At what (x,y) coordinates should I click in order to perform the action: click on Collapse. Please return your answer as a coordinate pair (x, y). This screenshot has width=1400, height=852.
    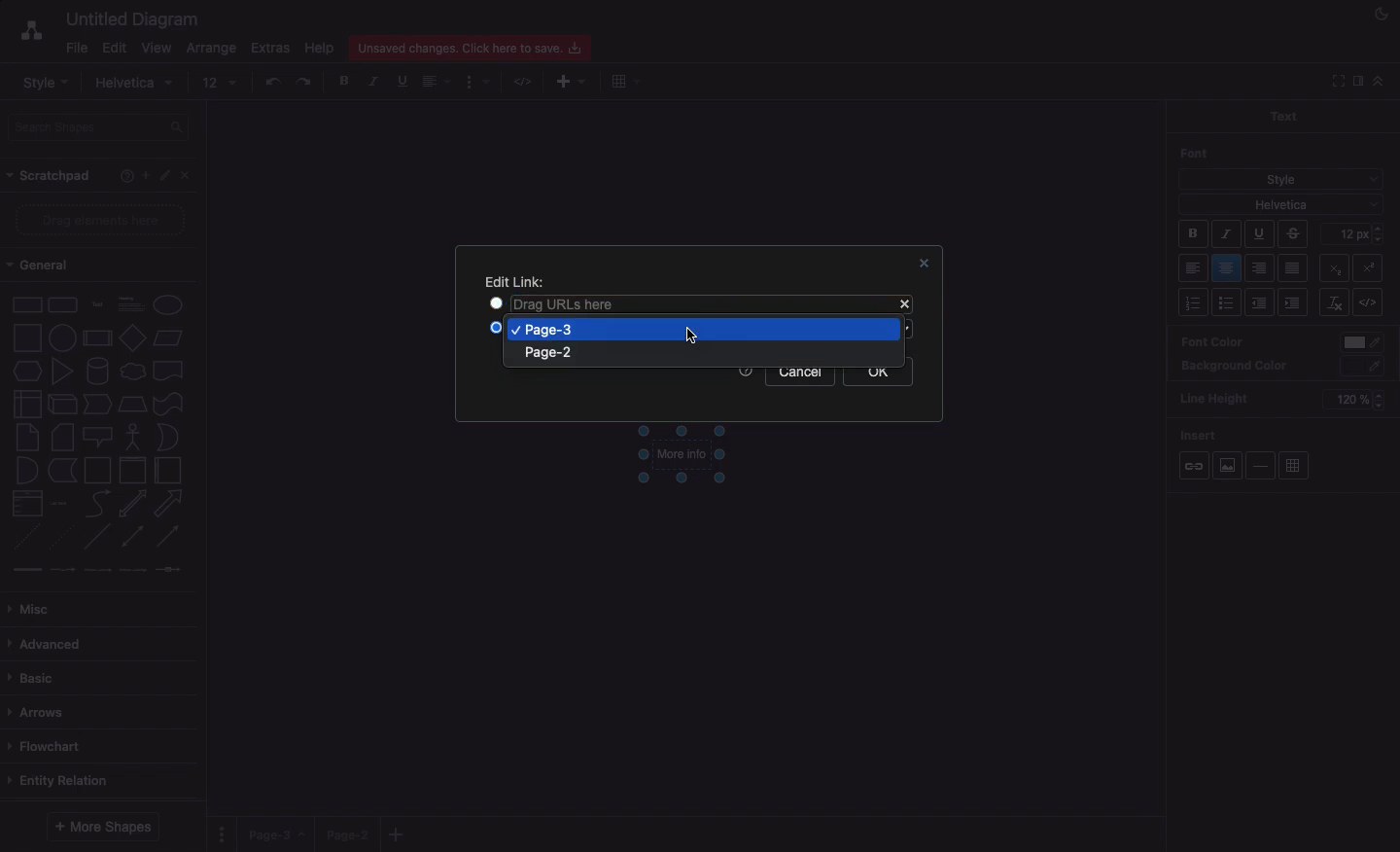
    Looking at the image, I should click on (1378, 81).